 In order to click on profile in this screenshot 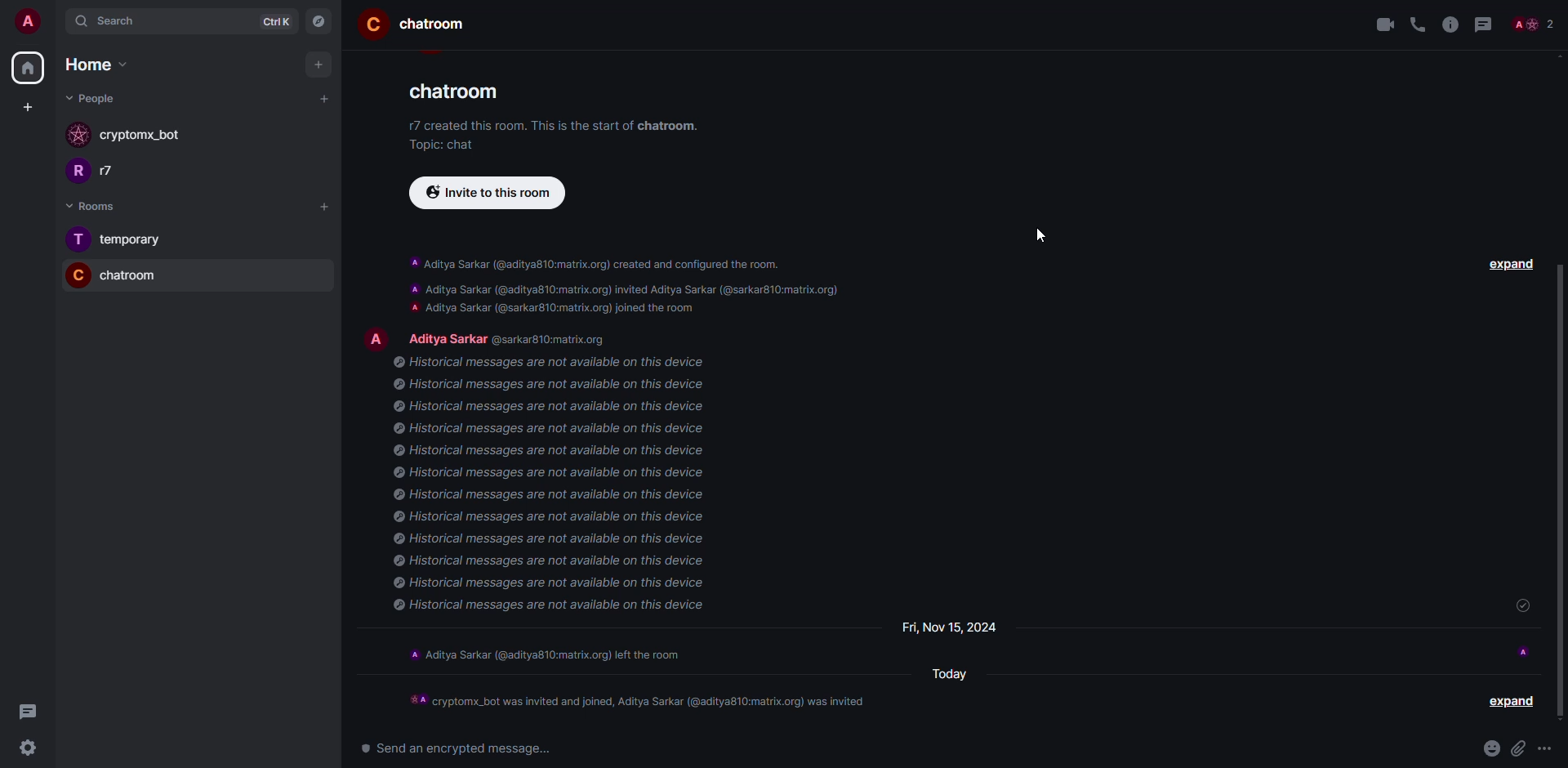, I will do `click(77, 239)`.